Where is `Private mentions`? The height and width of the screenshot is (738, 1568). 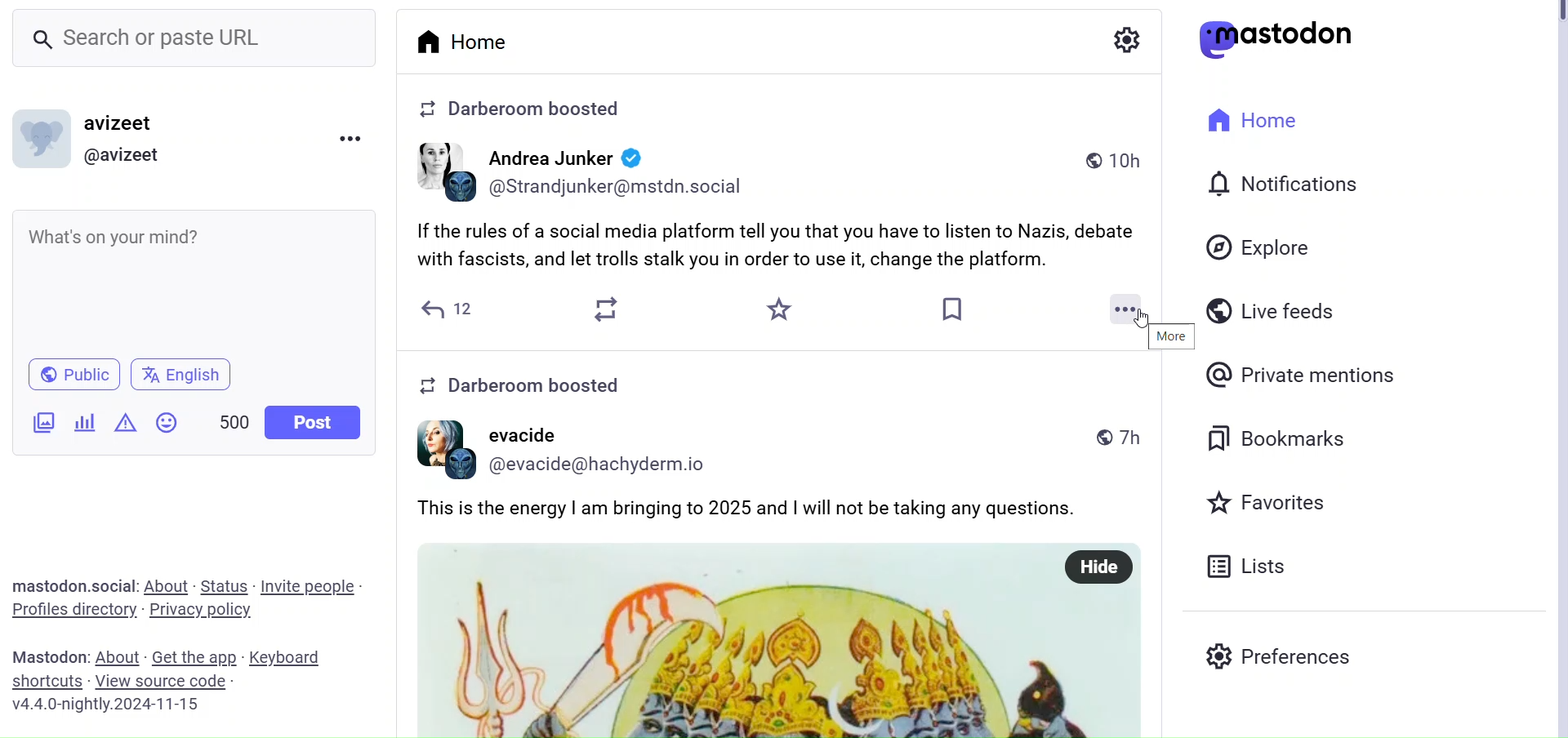
Private mentions is located at coordinates (1302, 374).